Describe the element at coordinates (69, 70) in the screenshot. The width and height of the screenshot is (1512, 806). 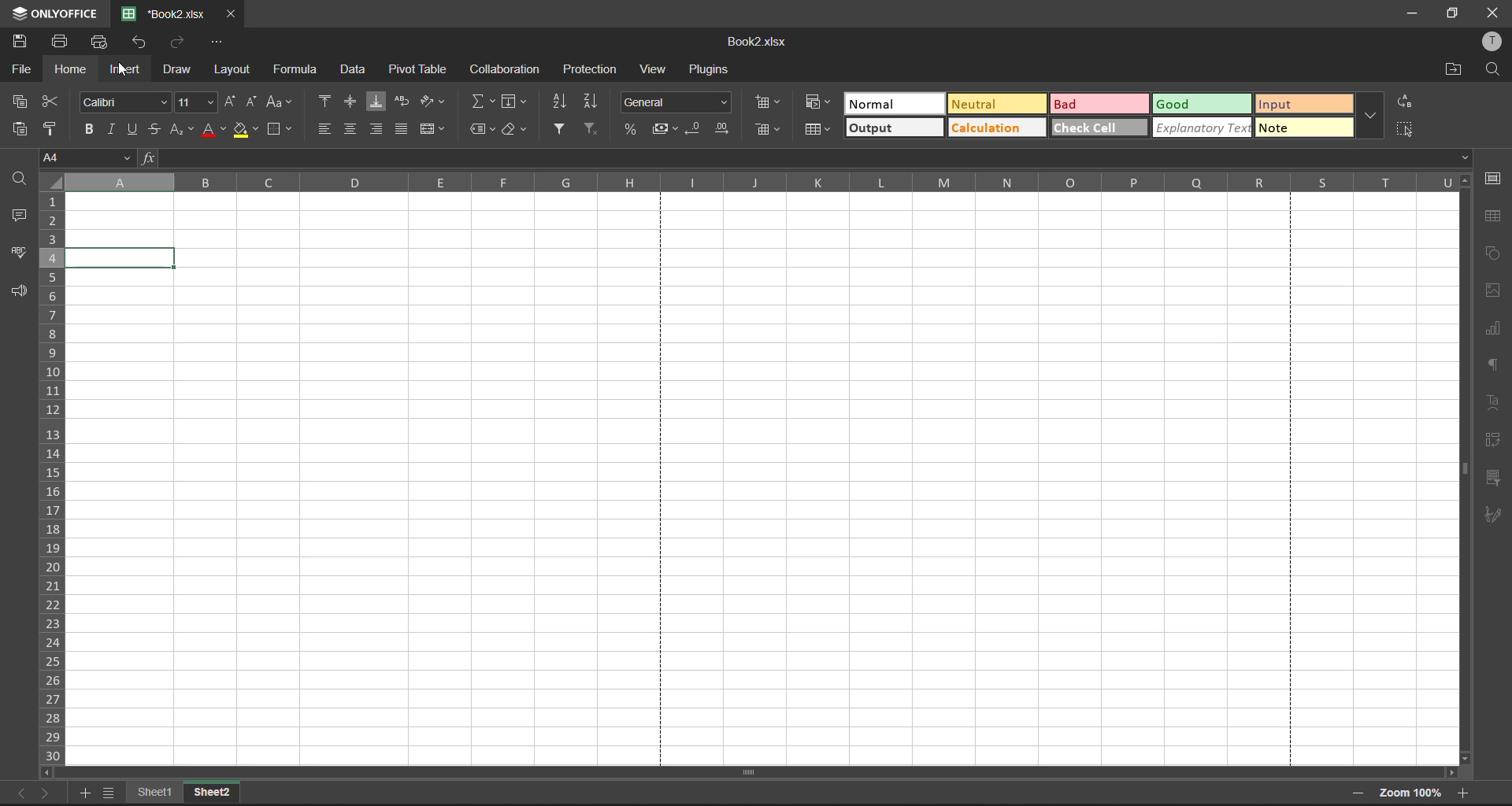
I see `home` at that location.